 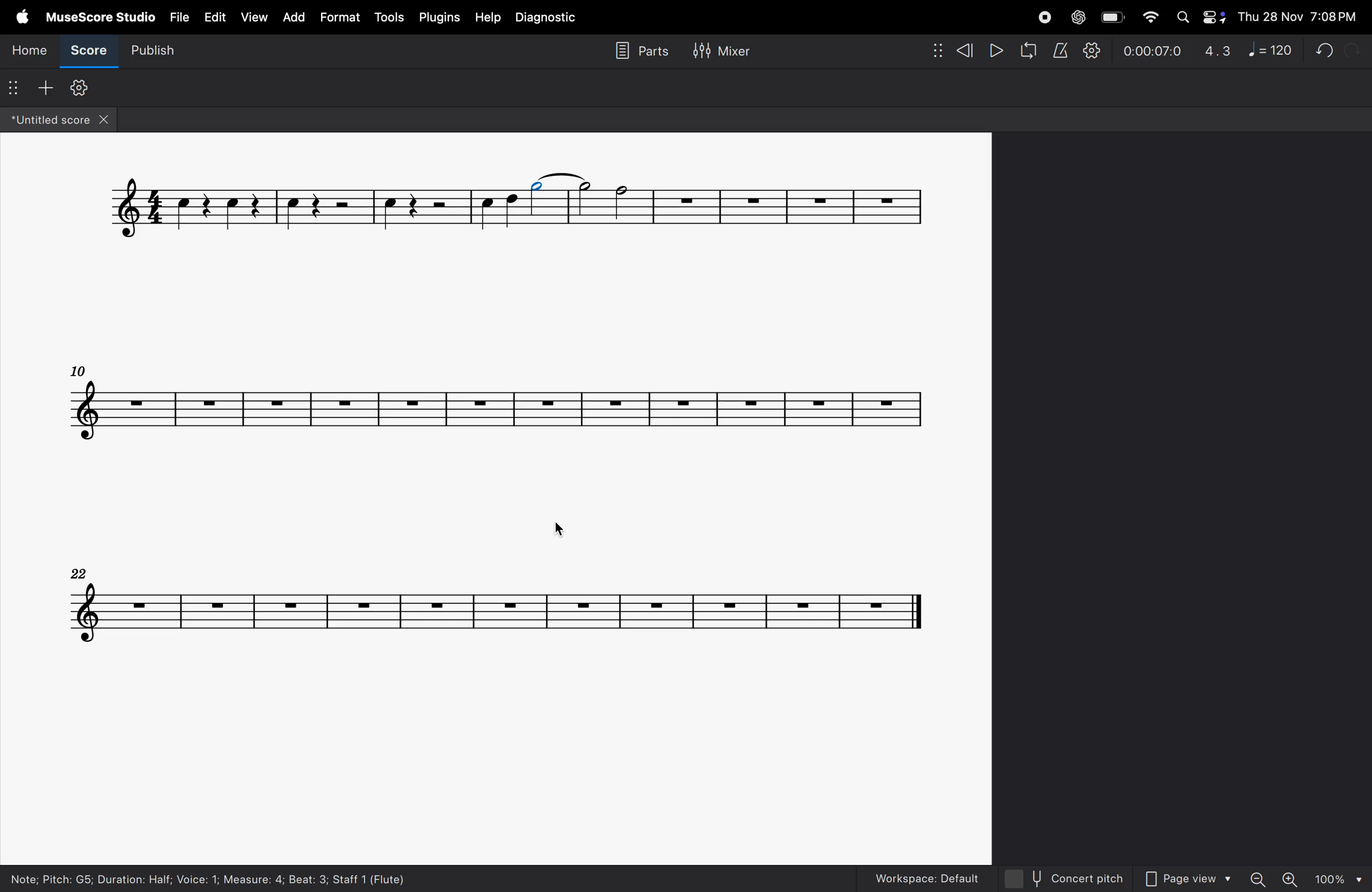 I want to click on undo, so click(x=1324, y=51).